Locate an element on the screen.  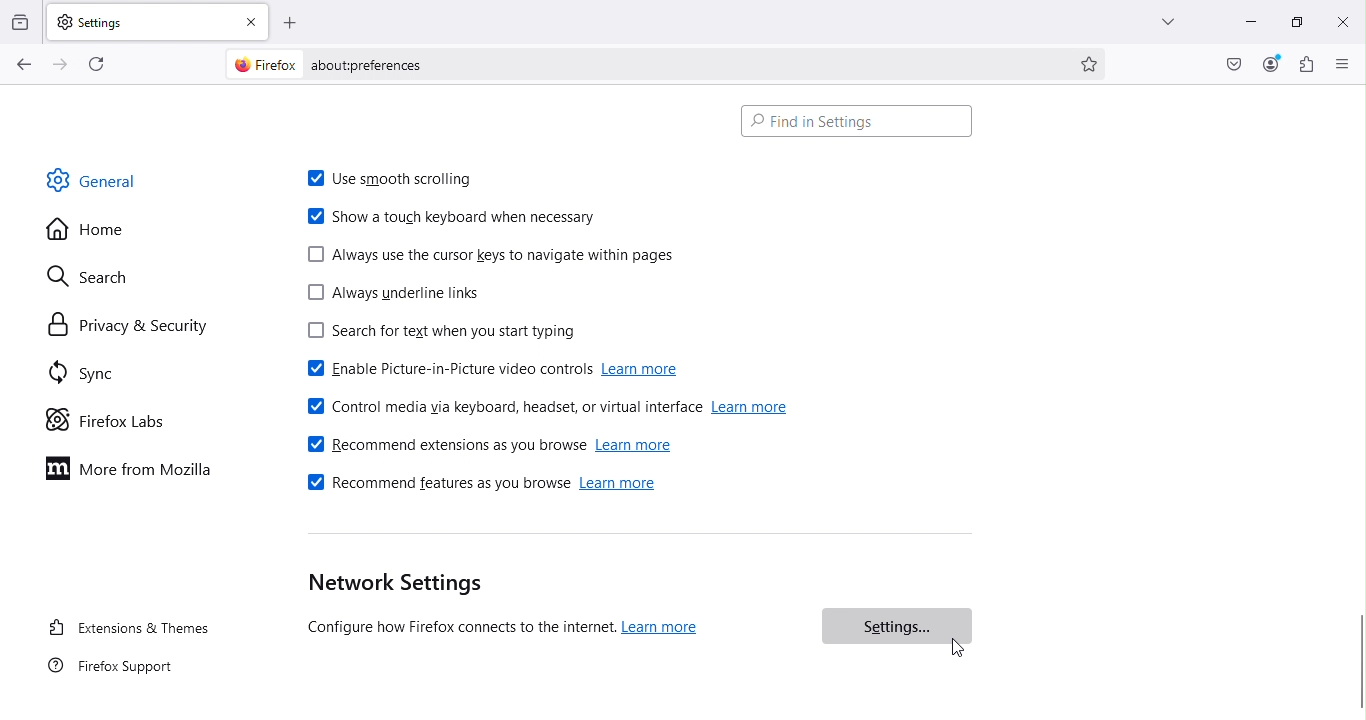
Account is located at coordinates (1270, 63).